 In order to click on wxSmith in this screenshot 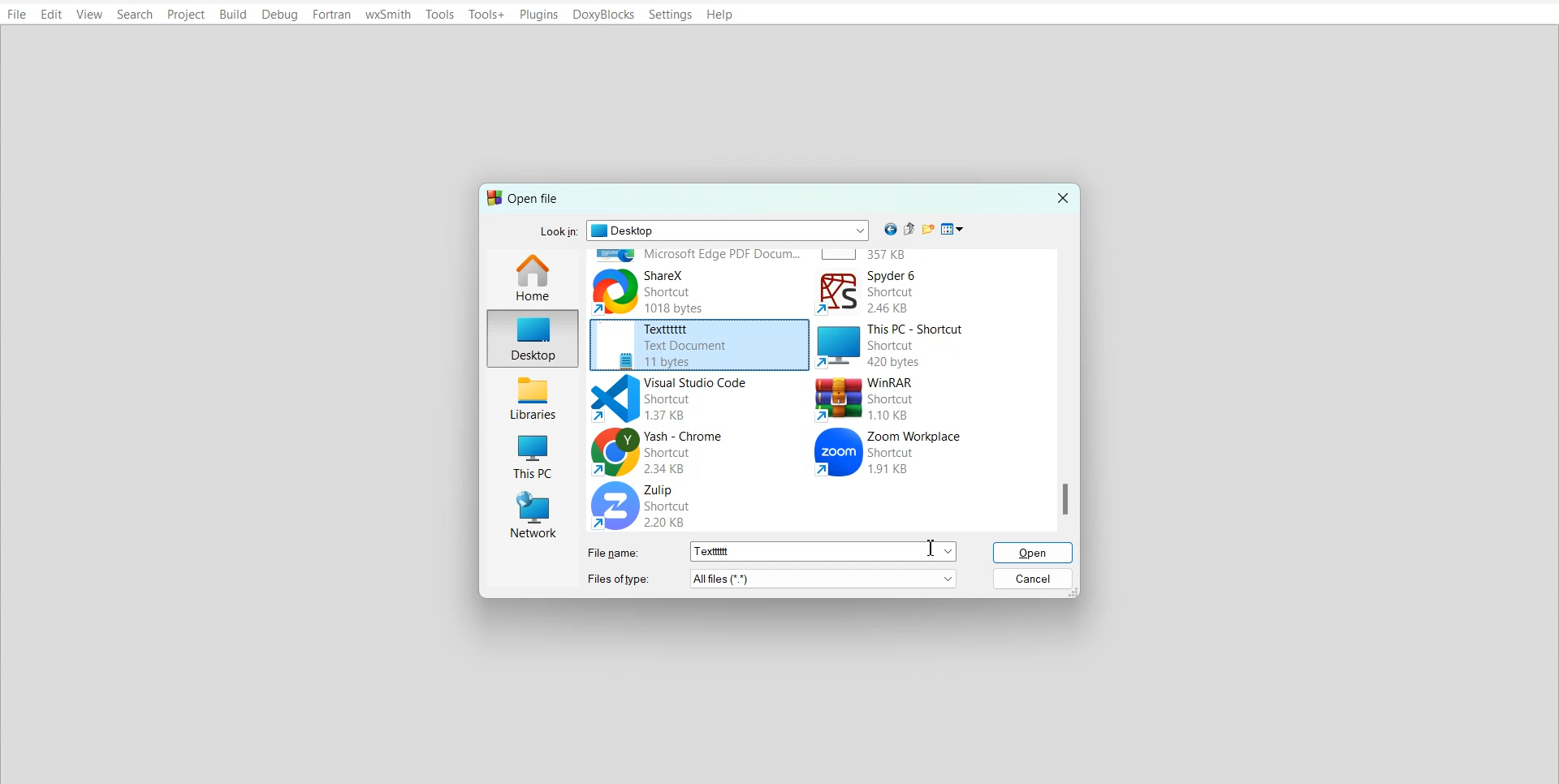, I will do `click(389, 14)`.